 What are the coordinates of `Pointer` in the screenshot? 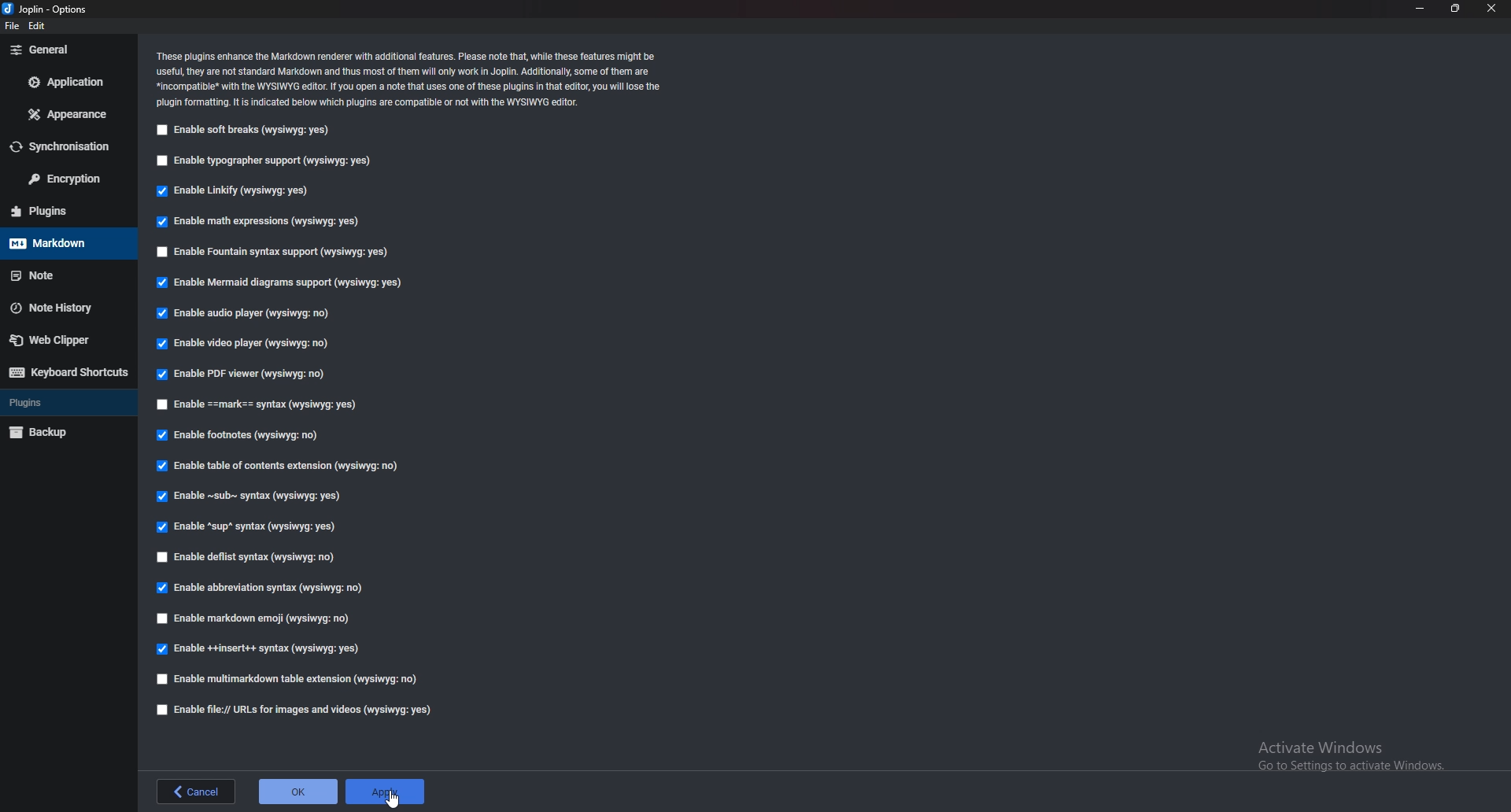 It's located at (393, 799).